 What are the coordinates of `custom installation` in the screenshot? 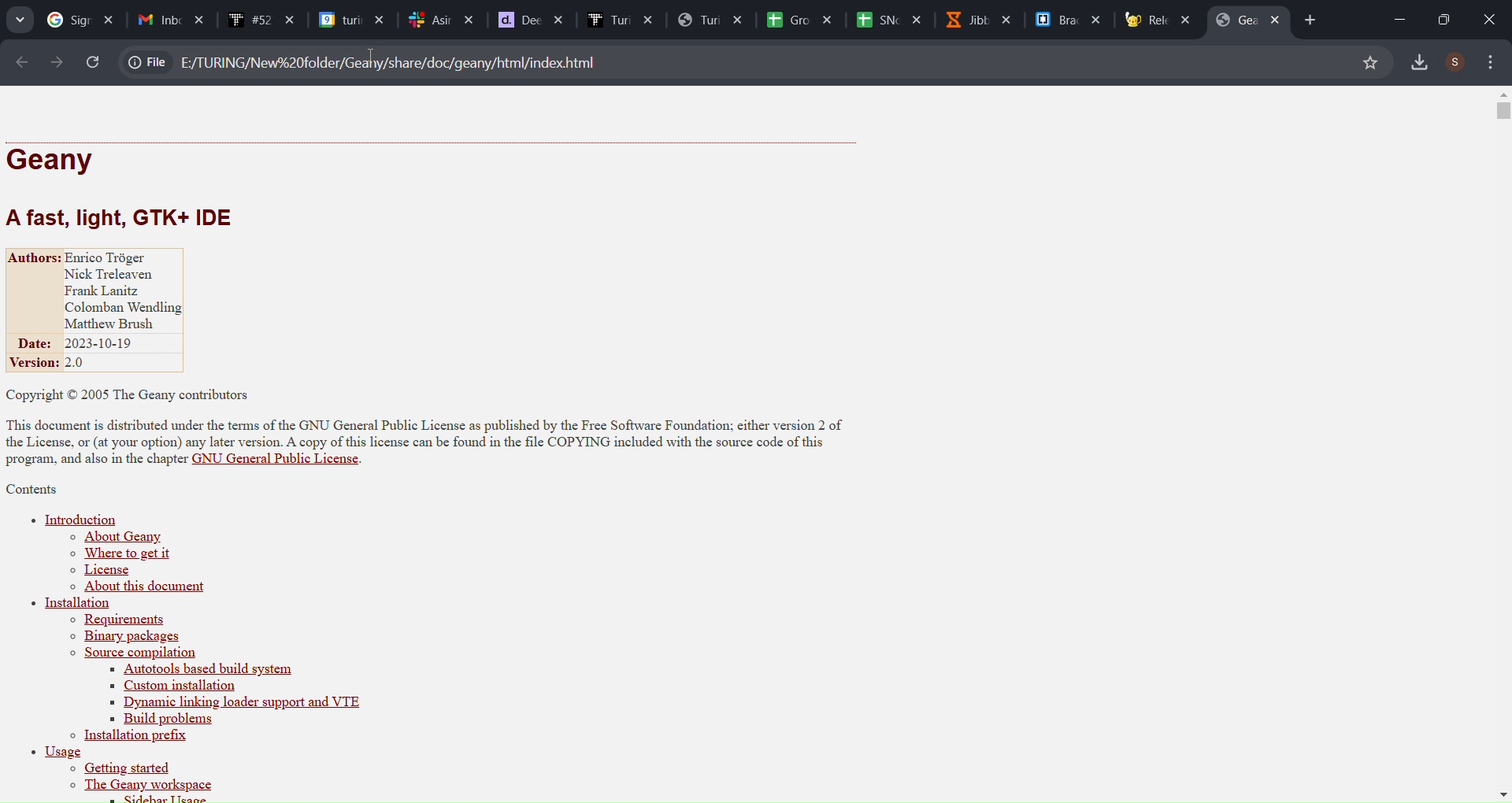 It's located at (169, 686).